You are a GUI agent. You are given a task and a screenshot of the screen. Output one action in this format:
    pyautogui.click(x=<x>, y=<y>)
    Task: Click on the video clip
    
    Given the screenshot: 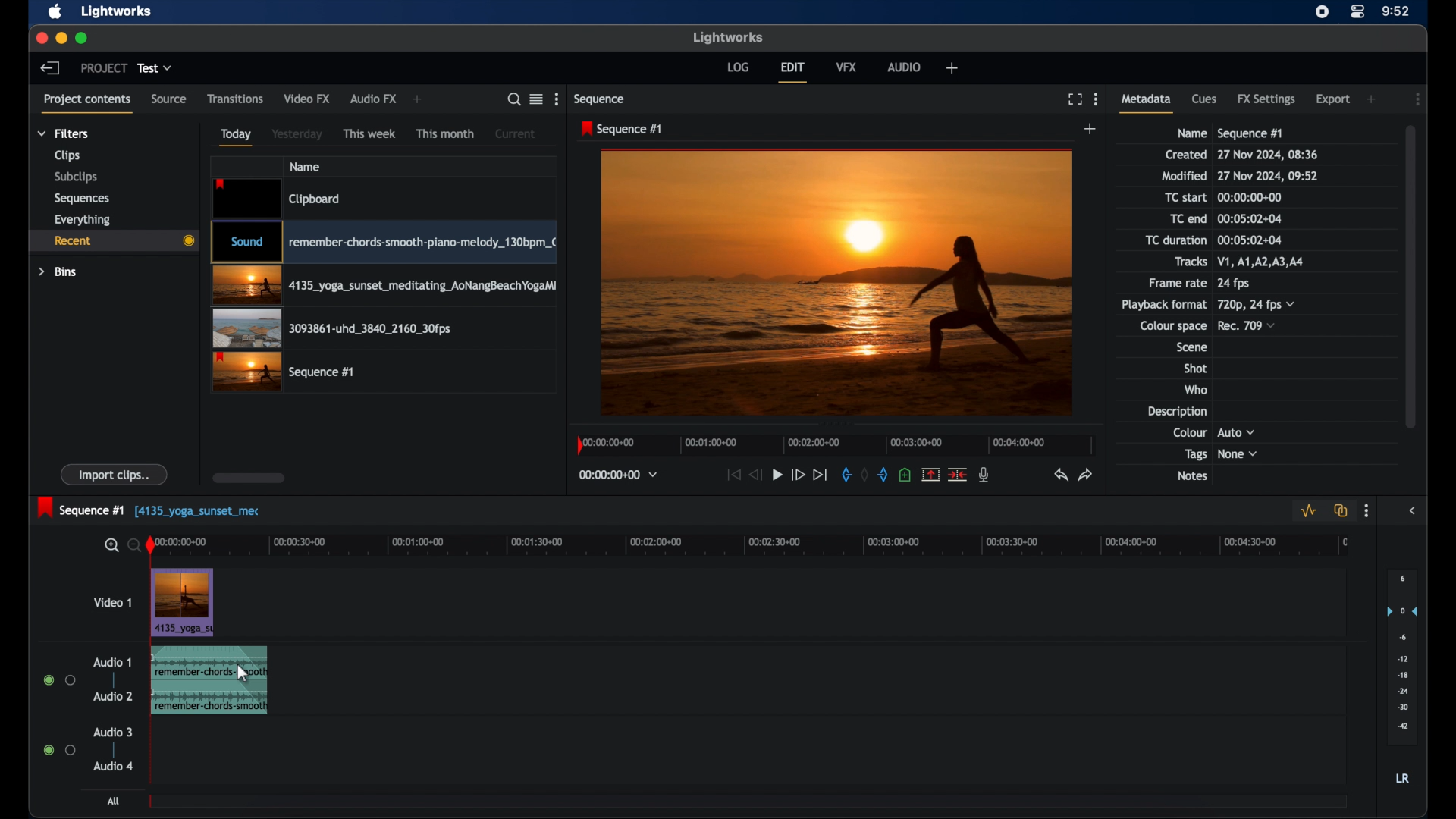 What is the action you would take?
    pyautogui.click(x=384, y=286)
    